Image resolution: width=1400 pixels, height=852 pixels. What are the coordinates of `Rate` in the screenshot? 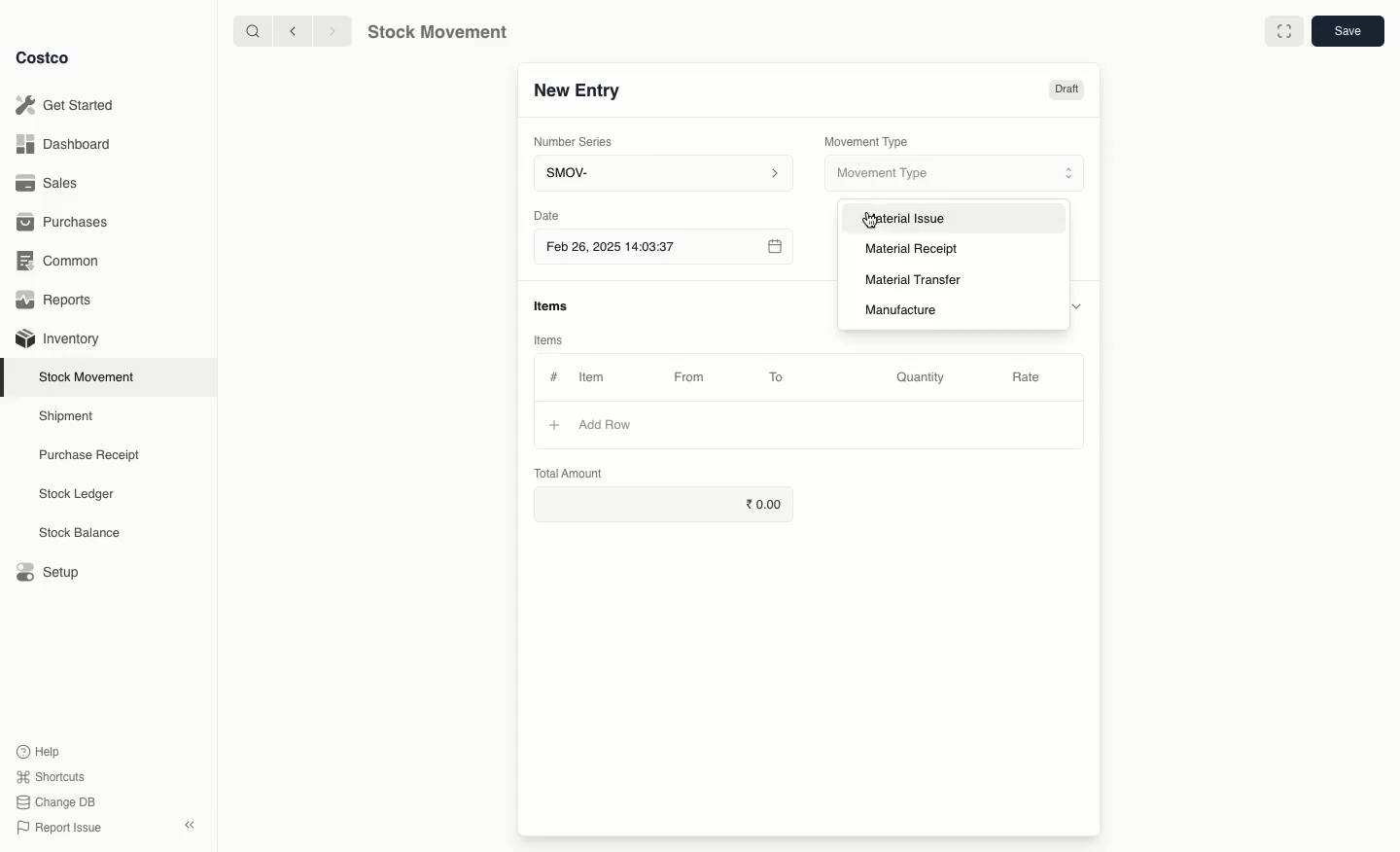 It's located at (1027, 374).